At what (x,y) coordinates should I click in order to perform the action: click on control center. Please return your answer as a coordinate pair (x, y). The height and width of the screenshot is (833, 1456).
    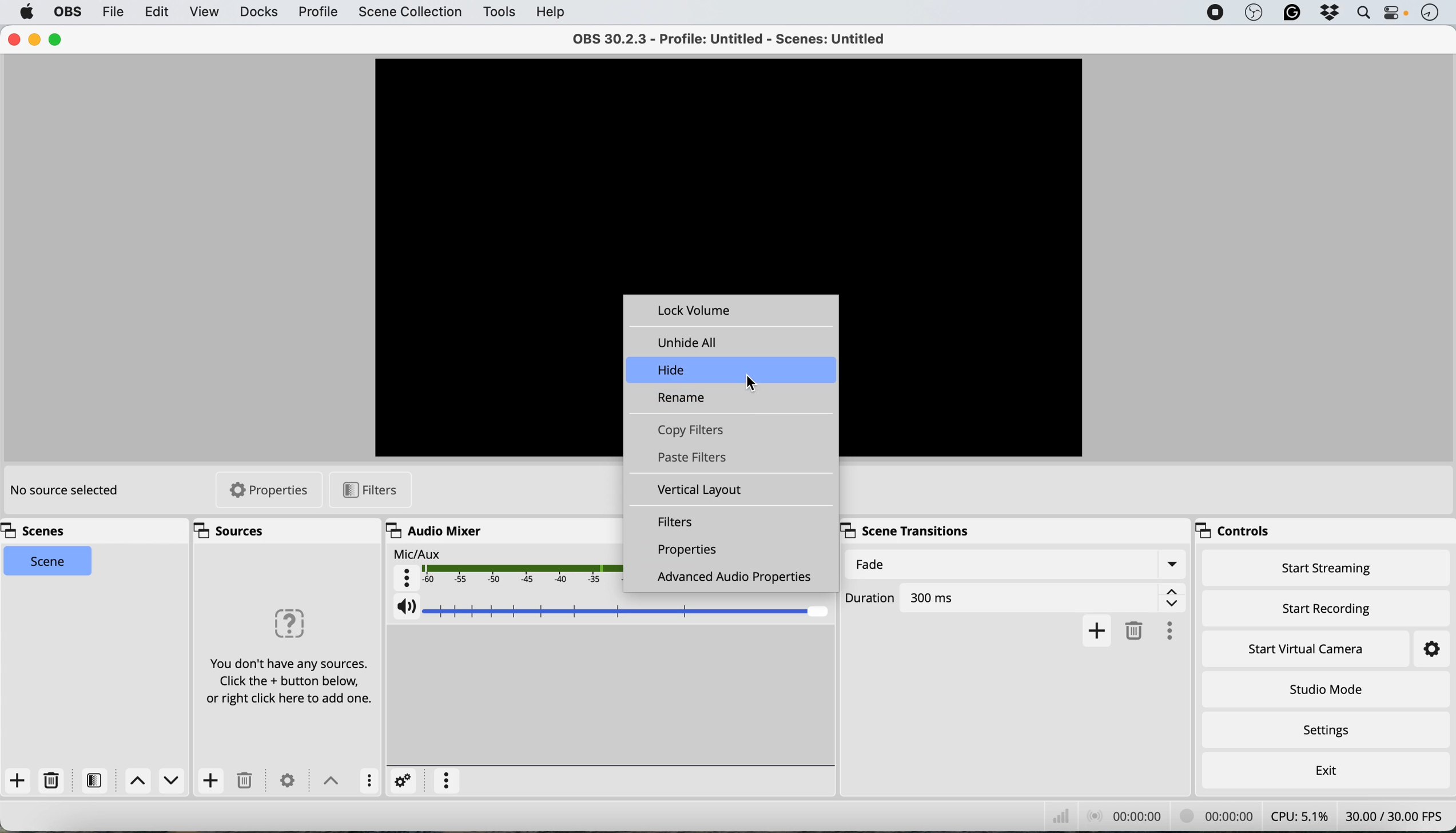
    Looking at the image, I should click on (1398, 15).